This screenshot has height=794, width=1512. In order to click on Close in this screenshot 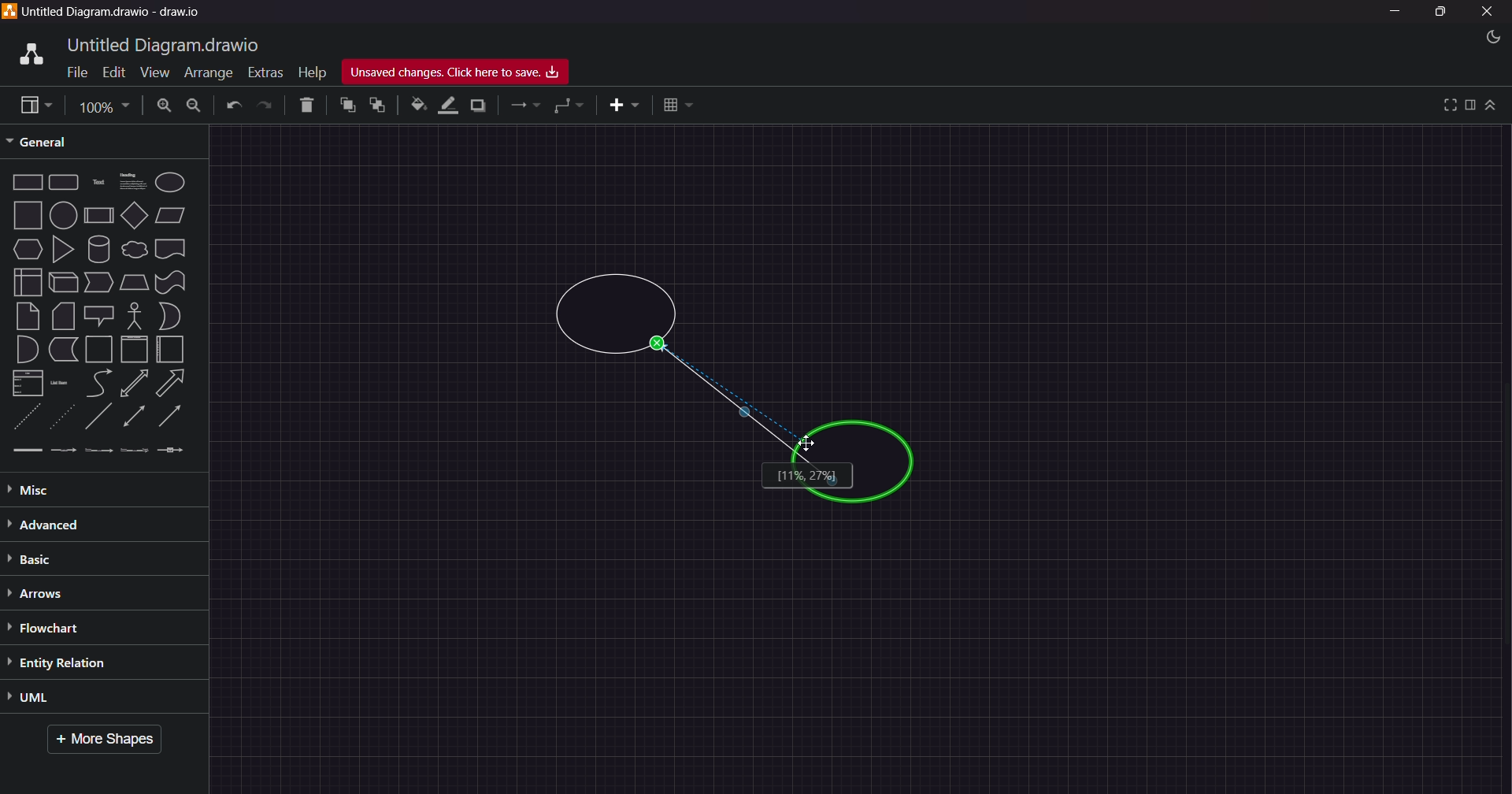, I will do `click(1488, 12)`.